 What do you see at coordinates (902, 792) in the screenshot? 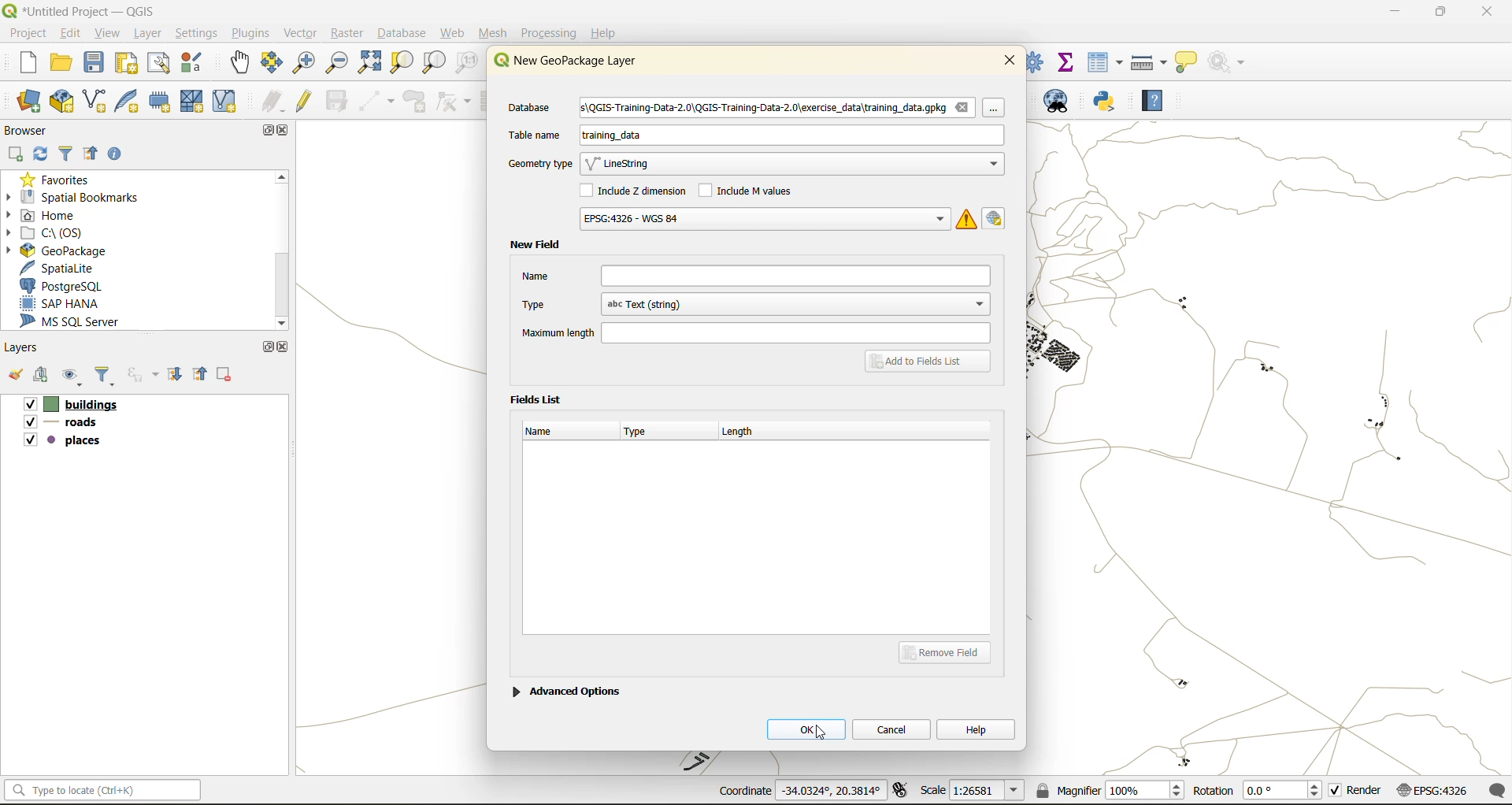
I see `toggle extents` at bounding box center [902, 792].